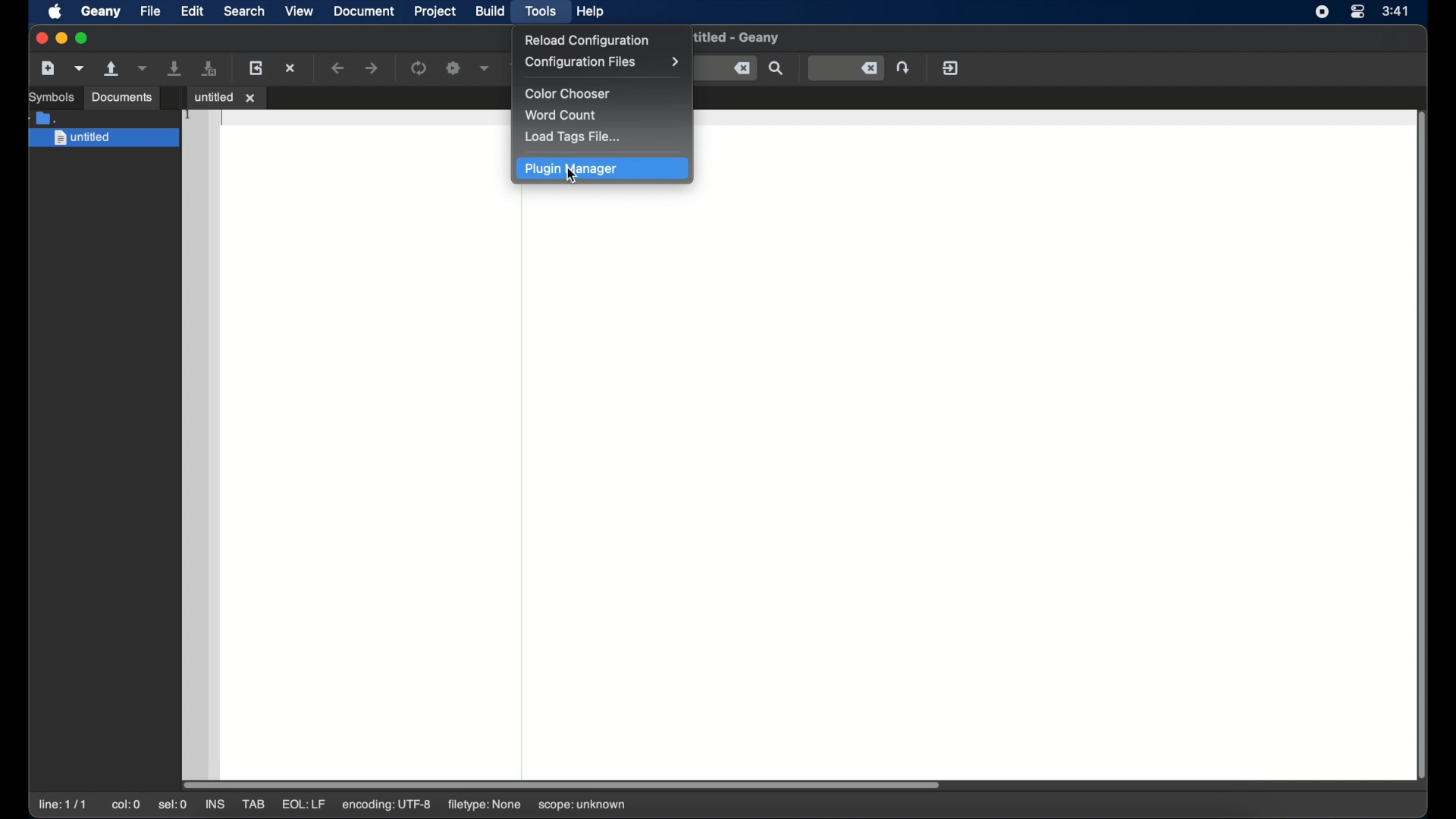 The width and height of the screenshot is (1456, 819). I want to click on untitled 1, so click(226, 96).